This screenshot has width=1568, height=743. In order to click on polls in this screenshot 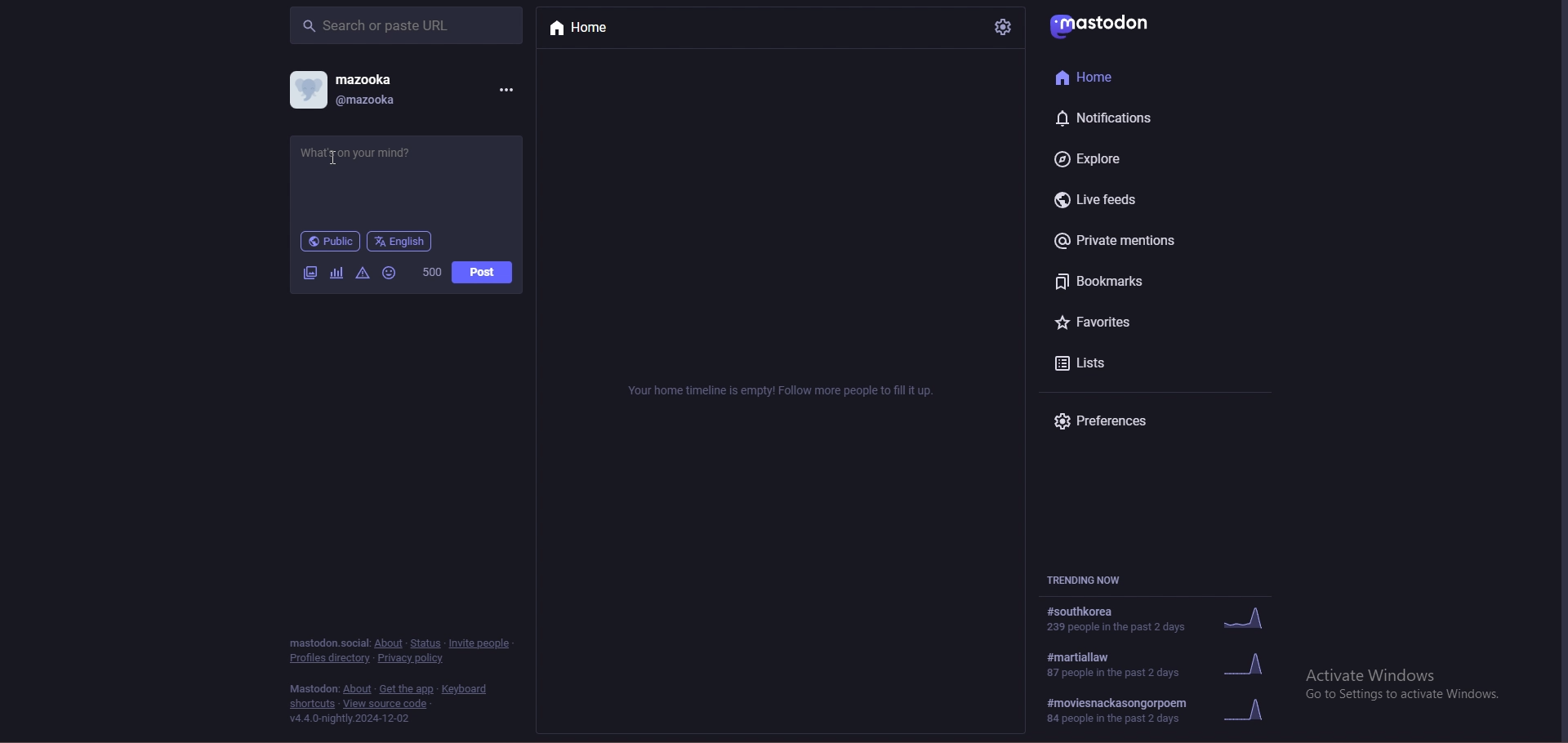, I will do `click(337, 273)`.